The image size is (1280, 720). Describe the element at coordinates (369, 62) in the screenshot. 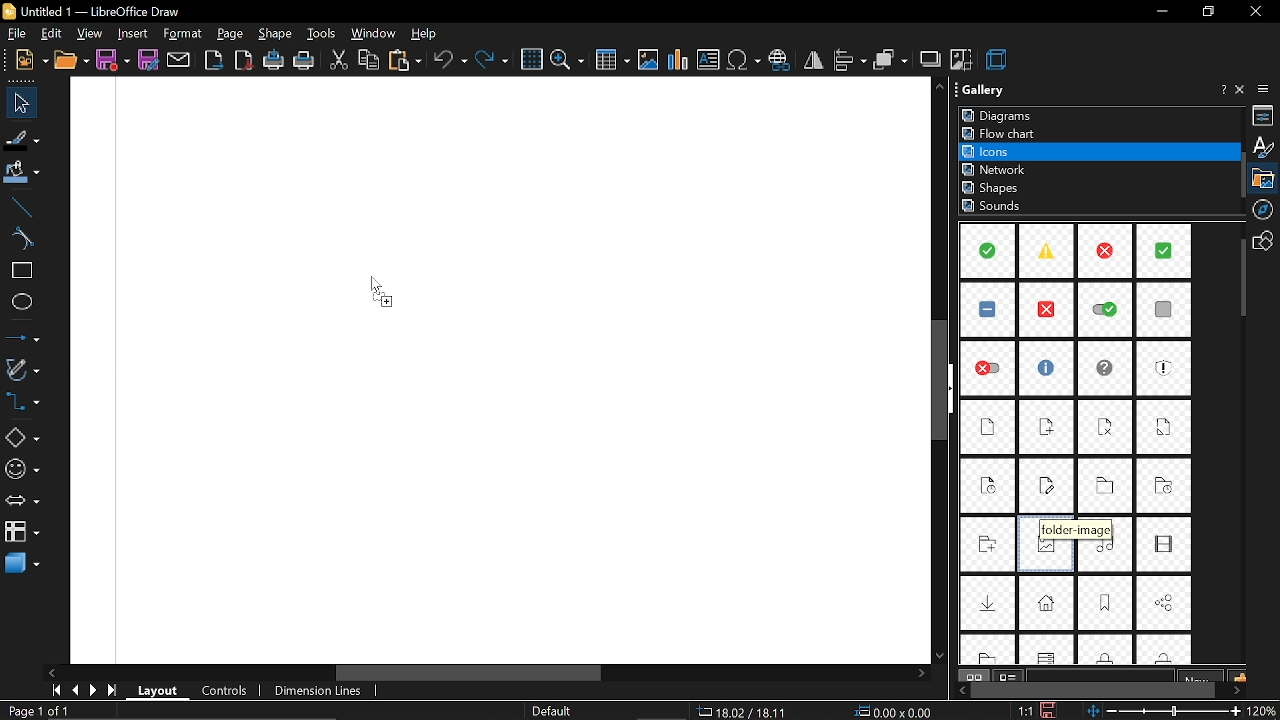

I see `copy` at that location.